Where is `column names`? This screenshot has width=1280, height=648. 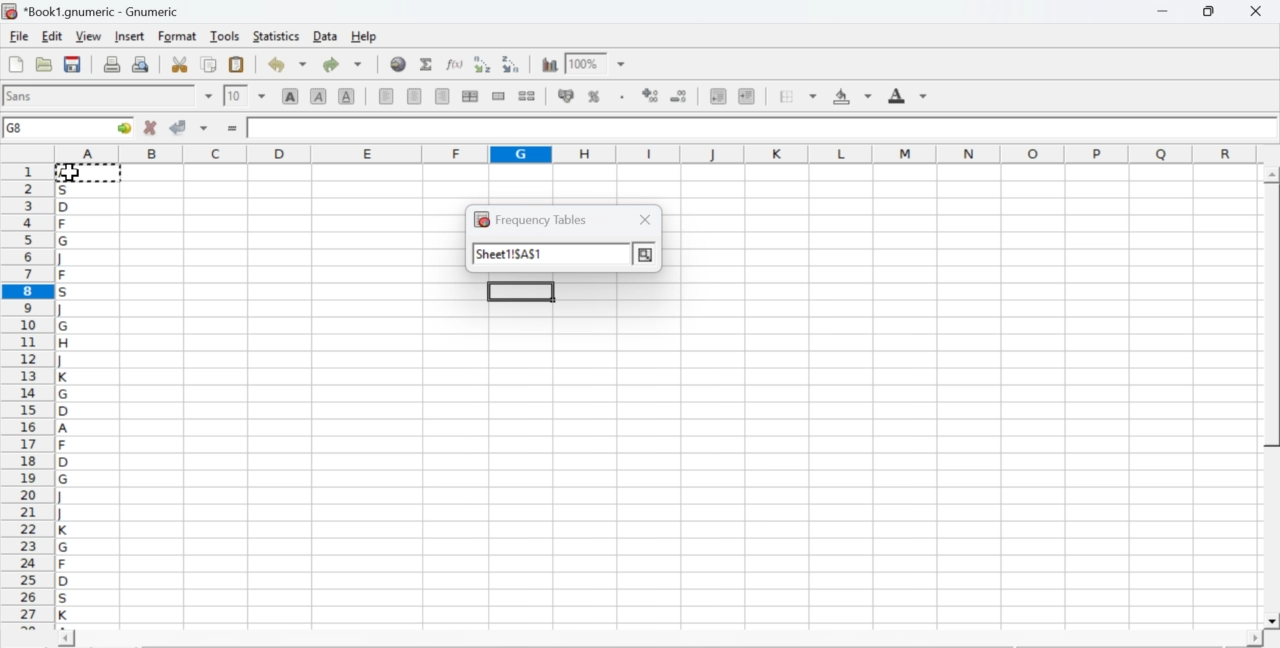
column names is located at coordinates (653, 152).